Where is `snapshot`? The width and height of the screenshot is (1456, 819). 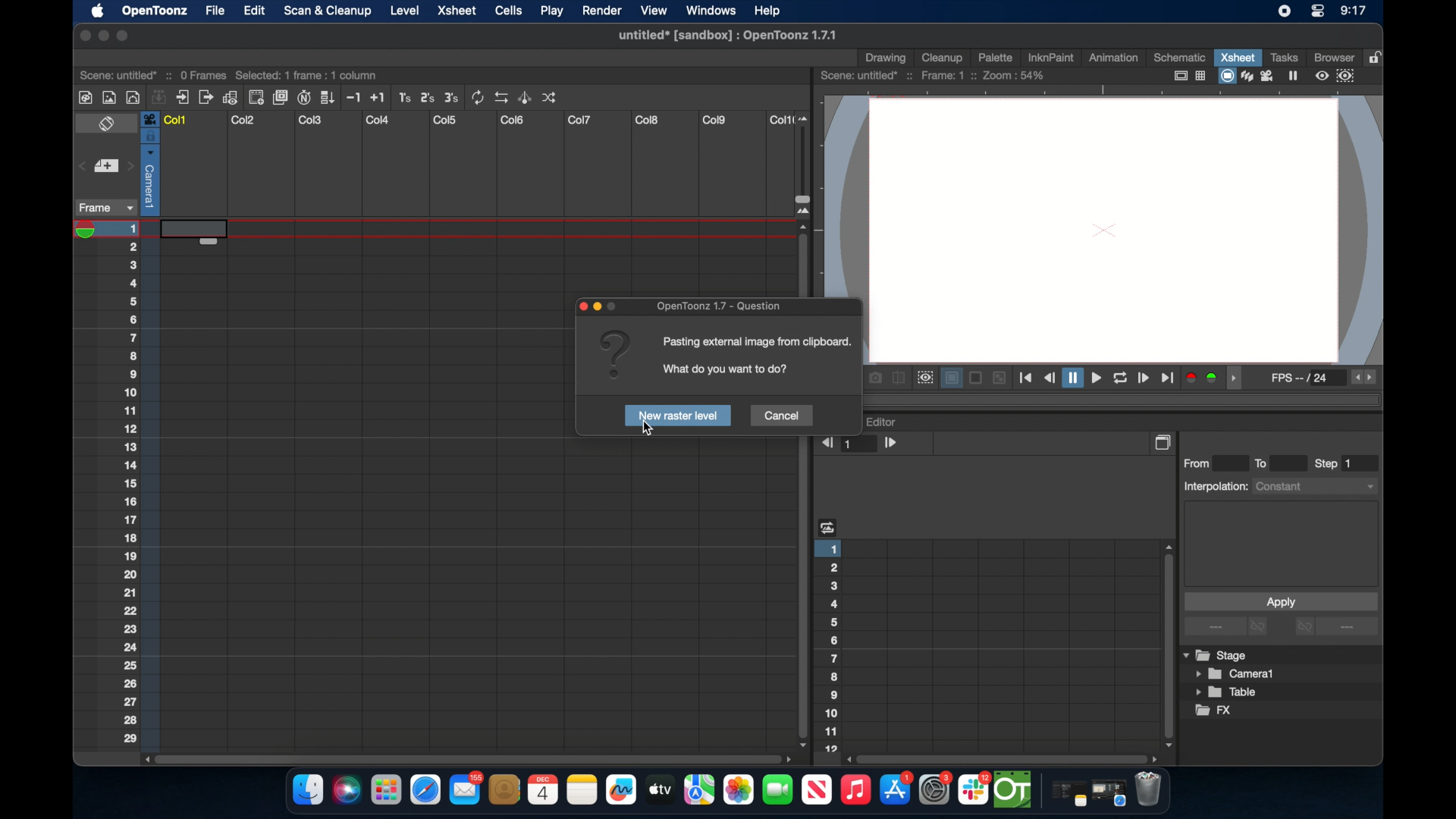
snapshot is located at coordinates (875, 378).